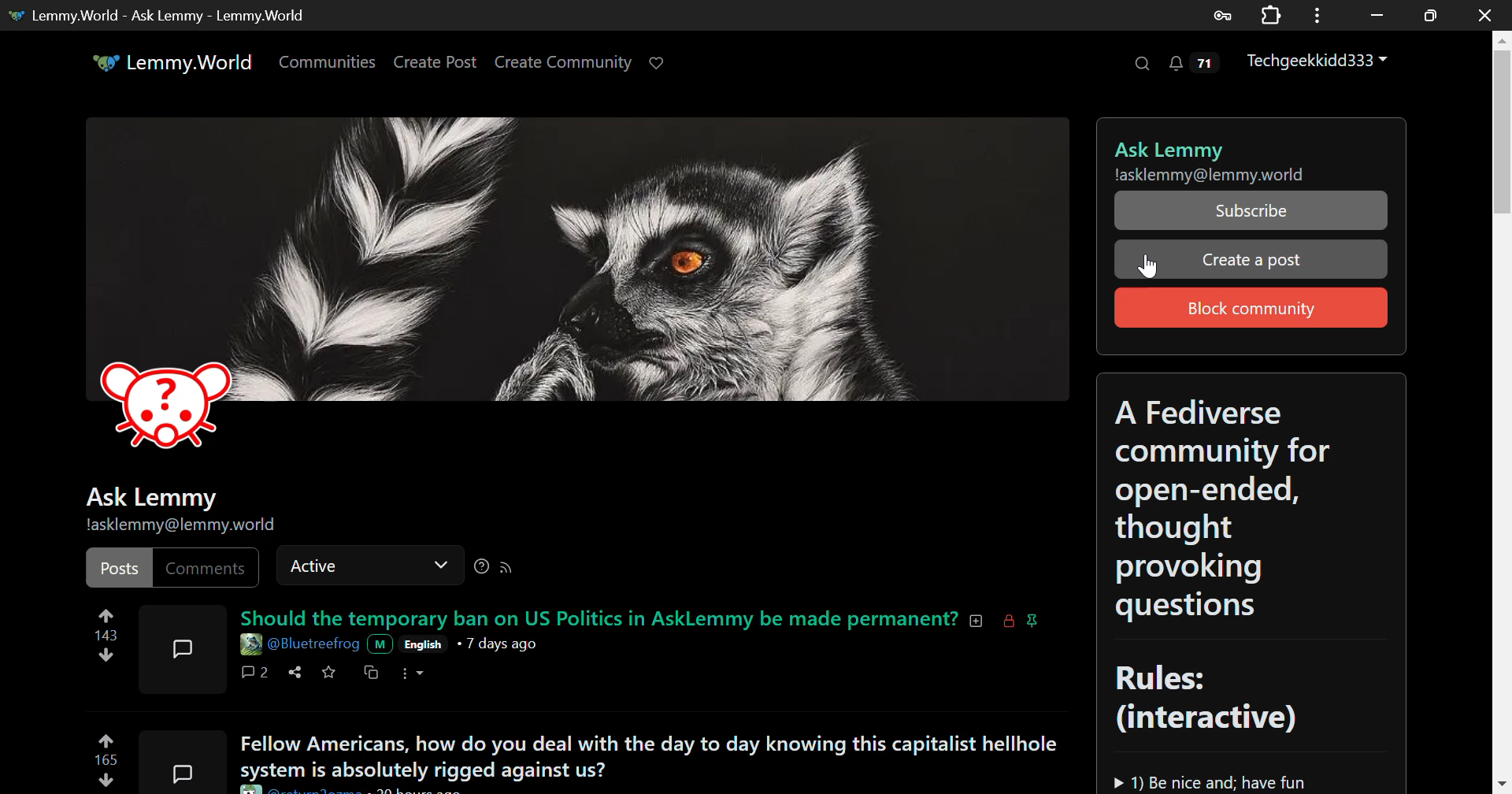 This screenshot has height=794, width=1512. Describe the element at coordinates (295, 676) in the screenshot. I see `Share` at that location.